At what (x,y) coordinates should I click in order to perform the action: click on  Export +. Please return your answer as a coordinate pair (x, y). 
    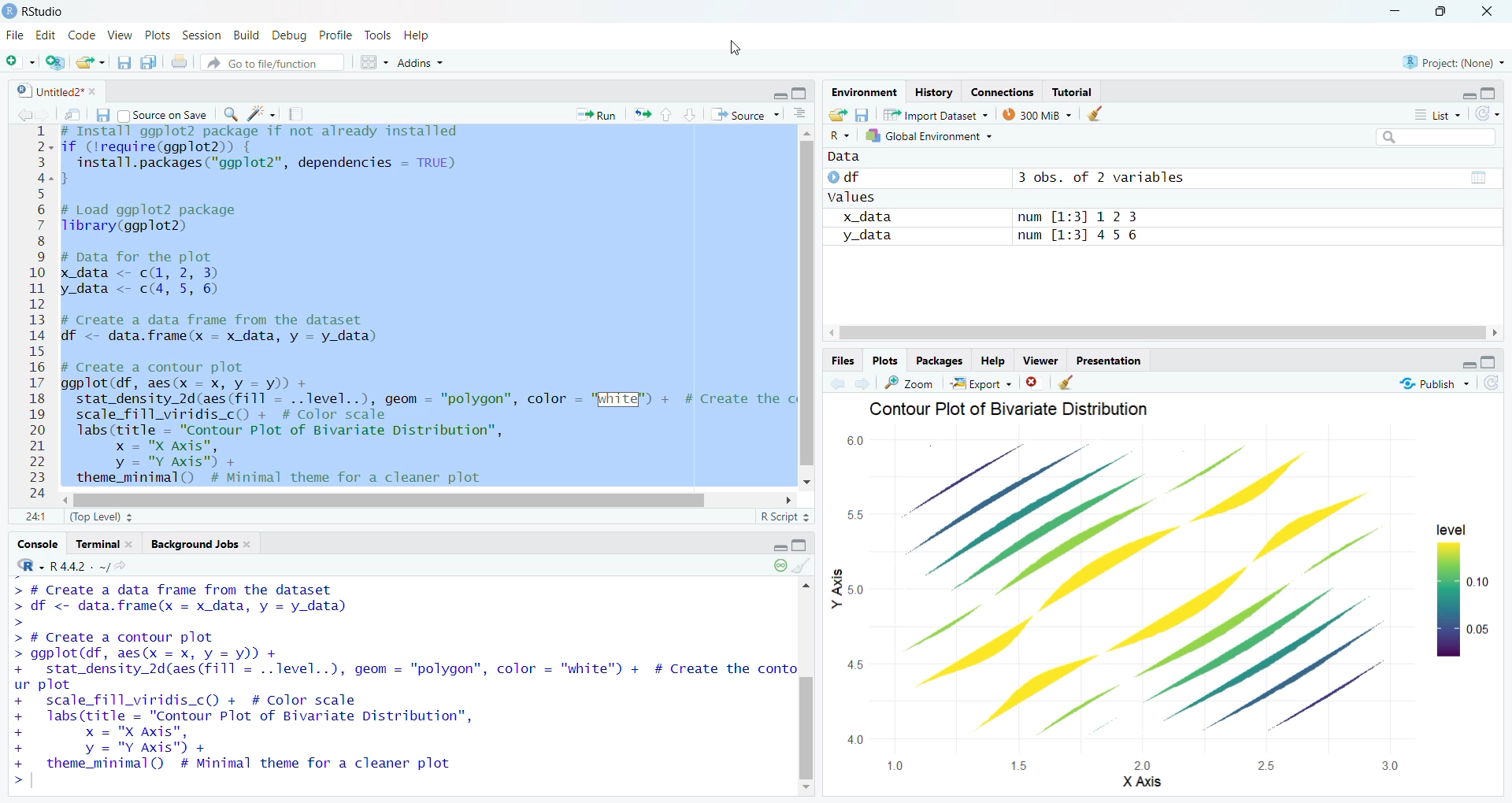
    Looking at the image, I should click on (981, 383).